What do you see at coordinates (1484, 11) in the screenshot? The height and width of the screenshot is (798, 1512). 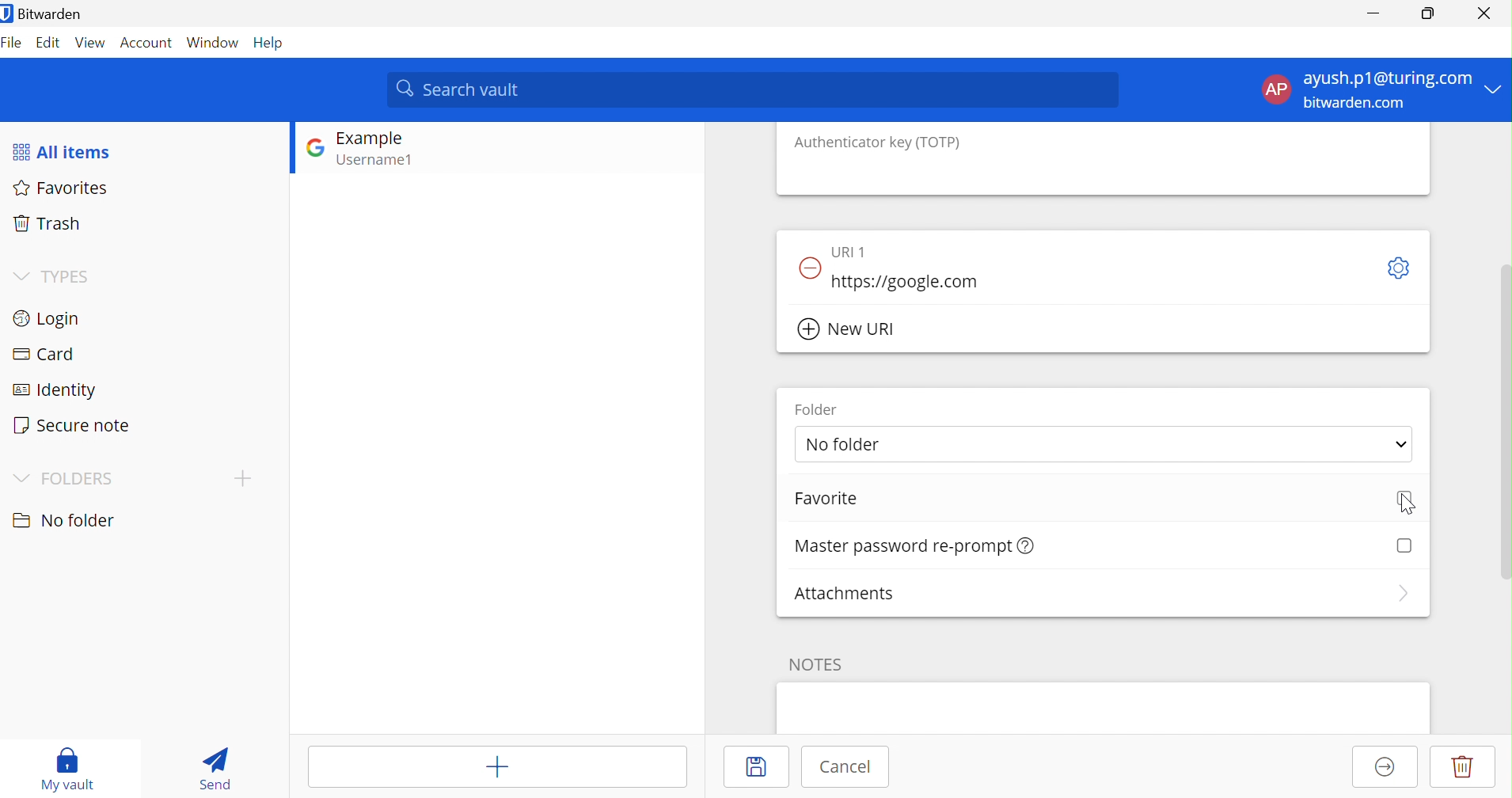 I see `Close` at bounding box center [1484, 11].